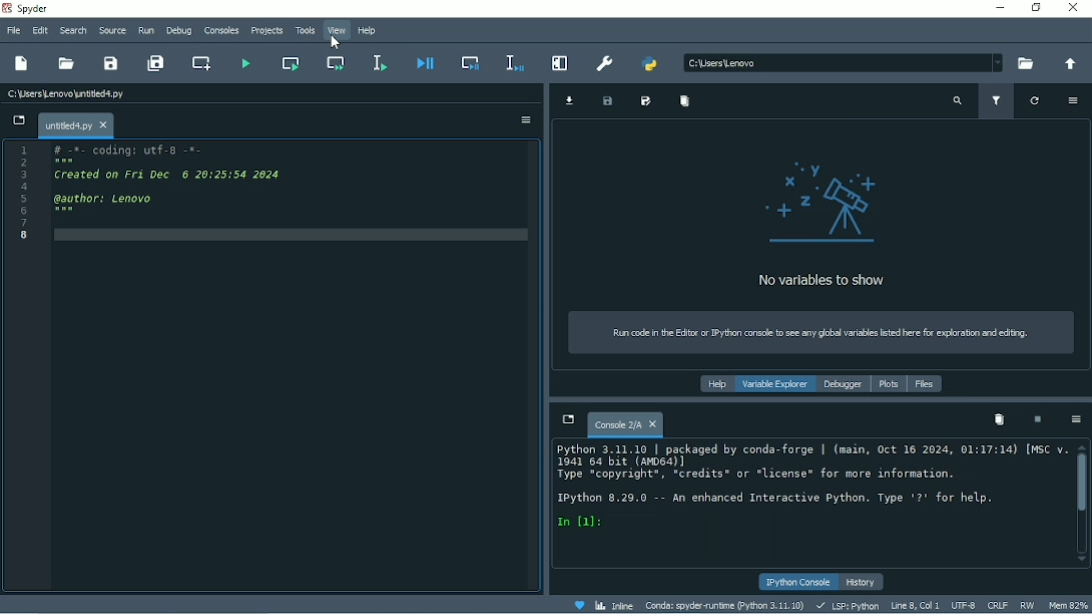  I want to click on Vertical scrollbar, so click(1082, 486).